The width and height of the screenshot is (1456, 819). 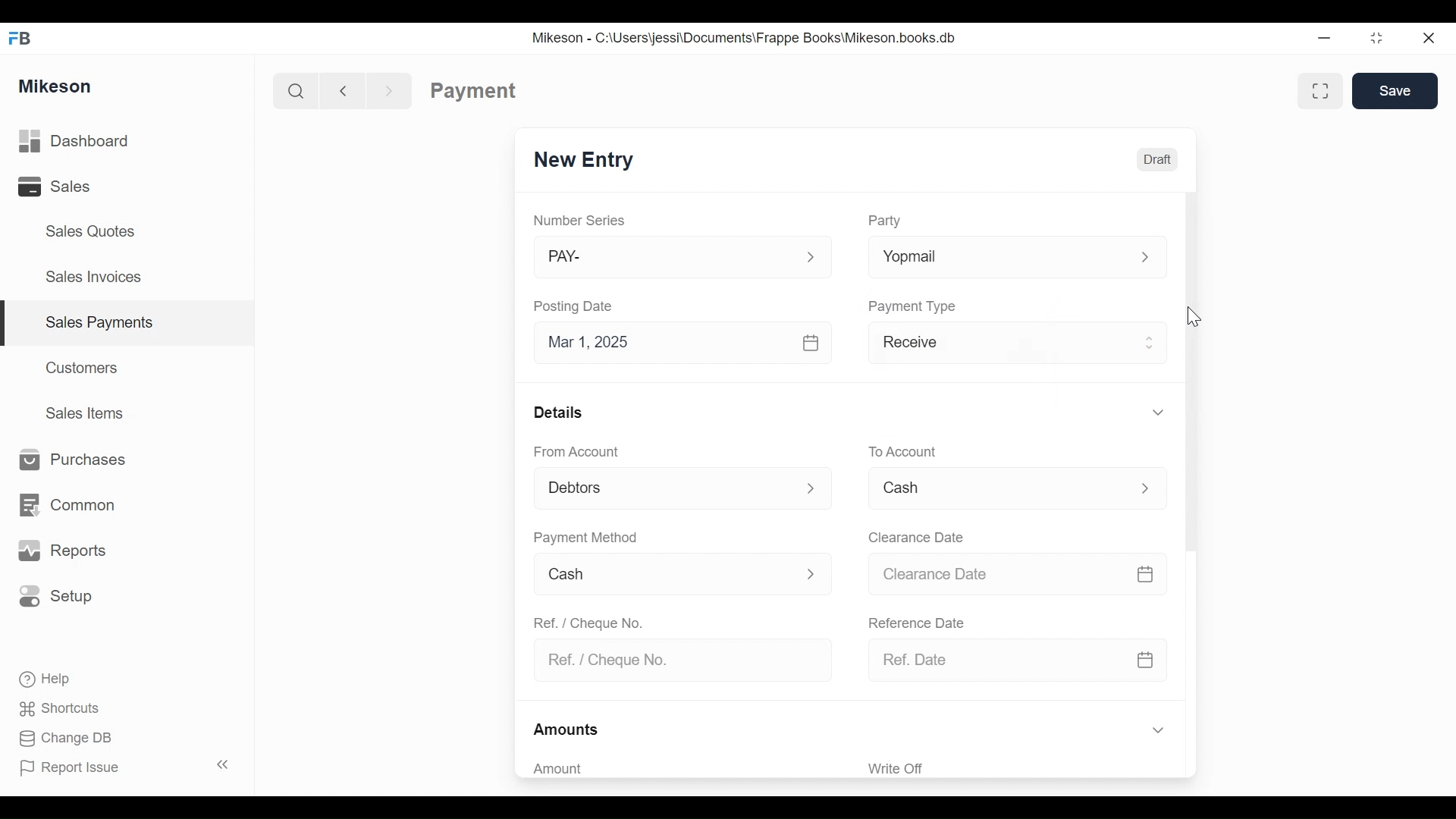 I want to click on Customers, so click(x=86, y=366).